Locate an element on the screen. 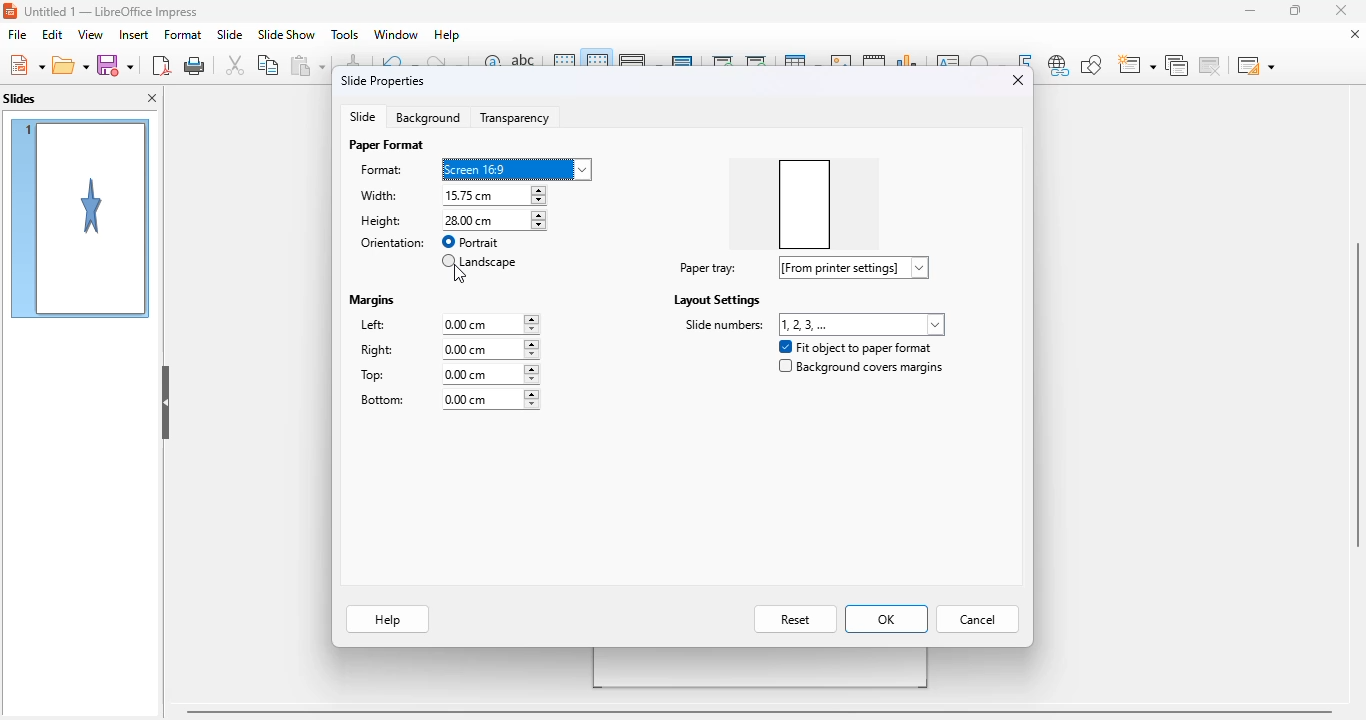  top is located at coordinates (380, 376).